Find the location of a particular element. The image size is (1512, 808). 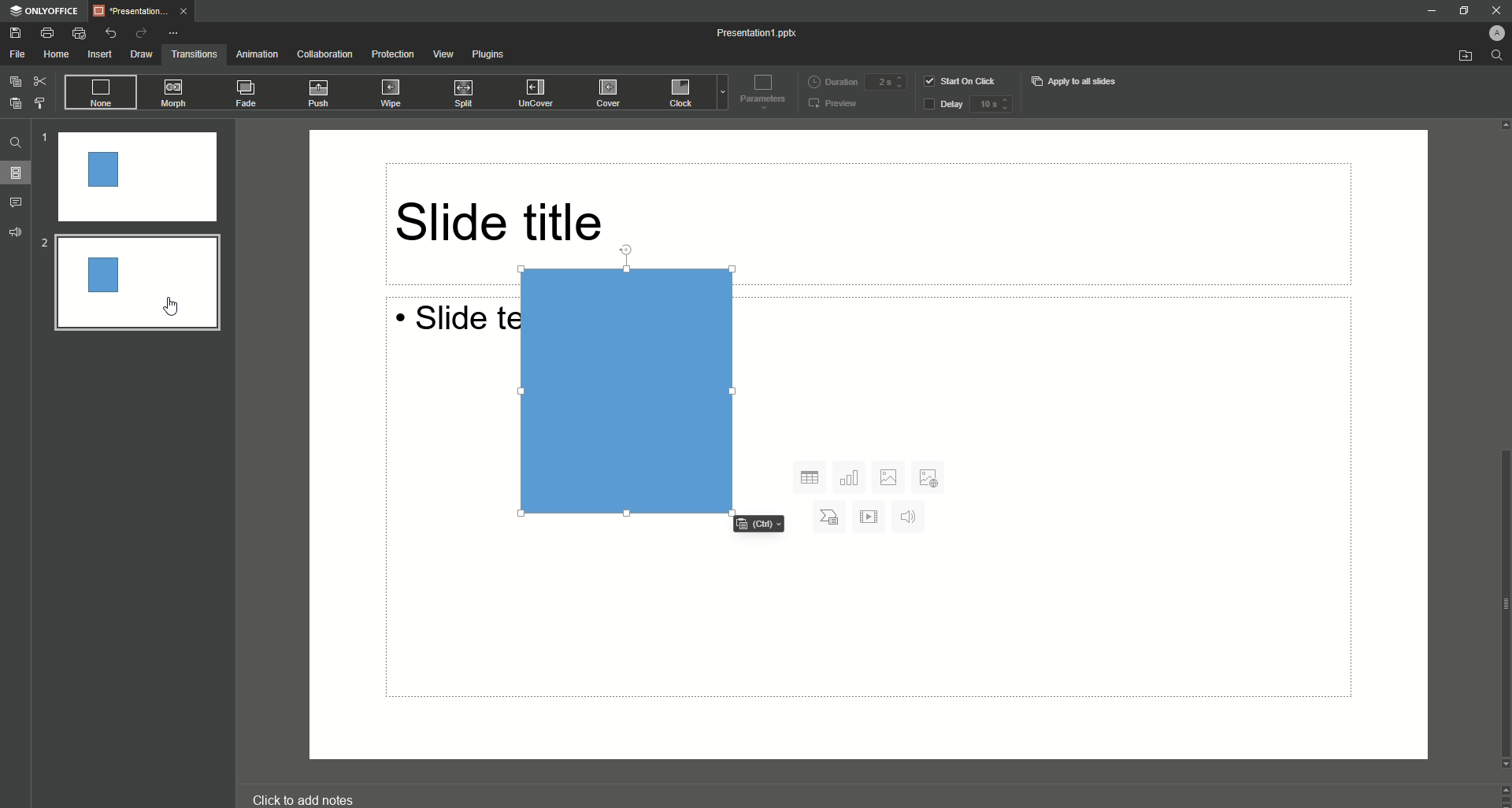

Comments is located at coordinates (20, 203).